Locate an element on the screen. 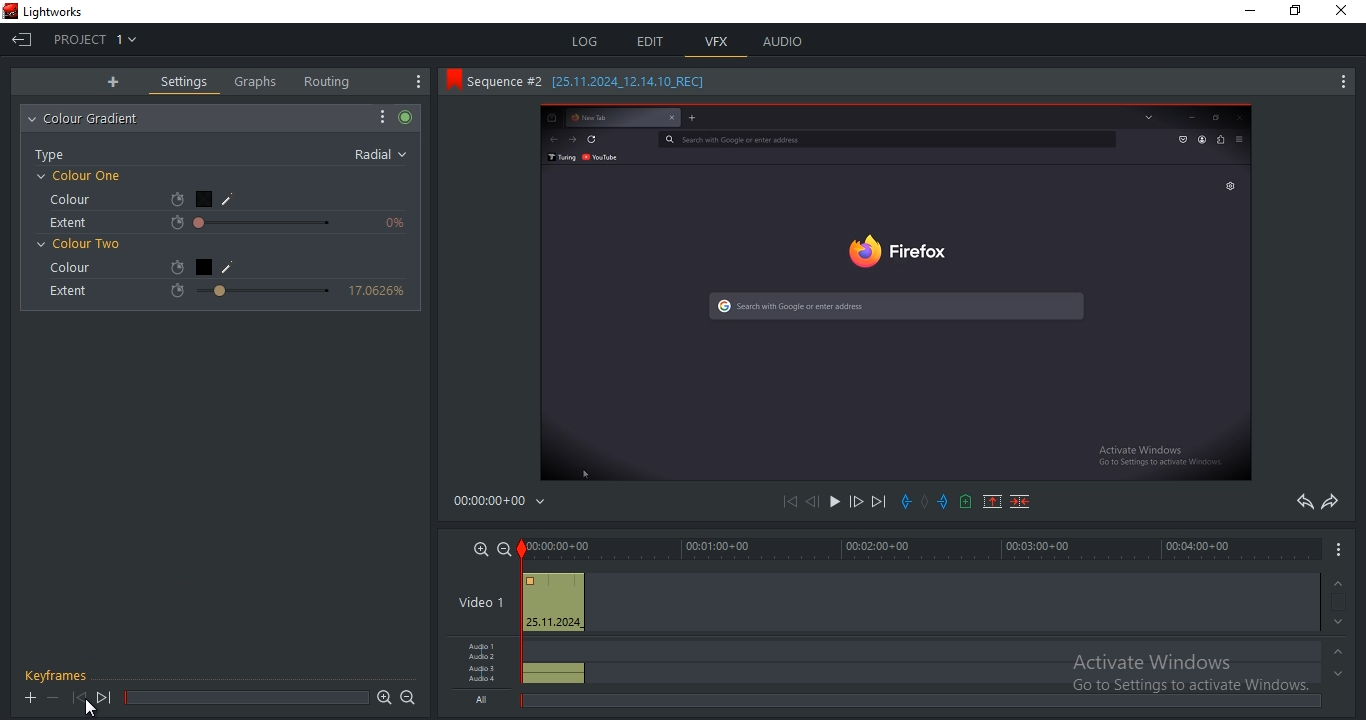  add is located at coordinates (113, 81).